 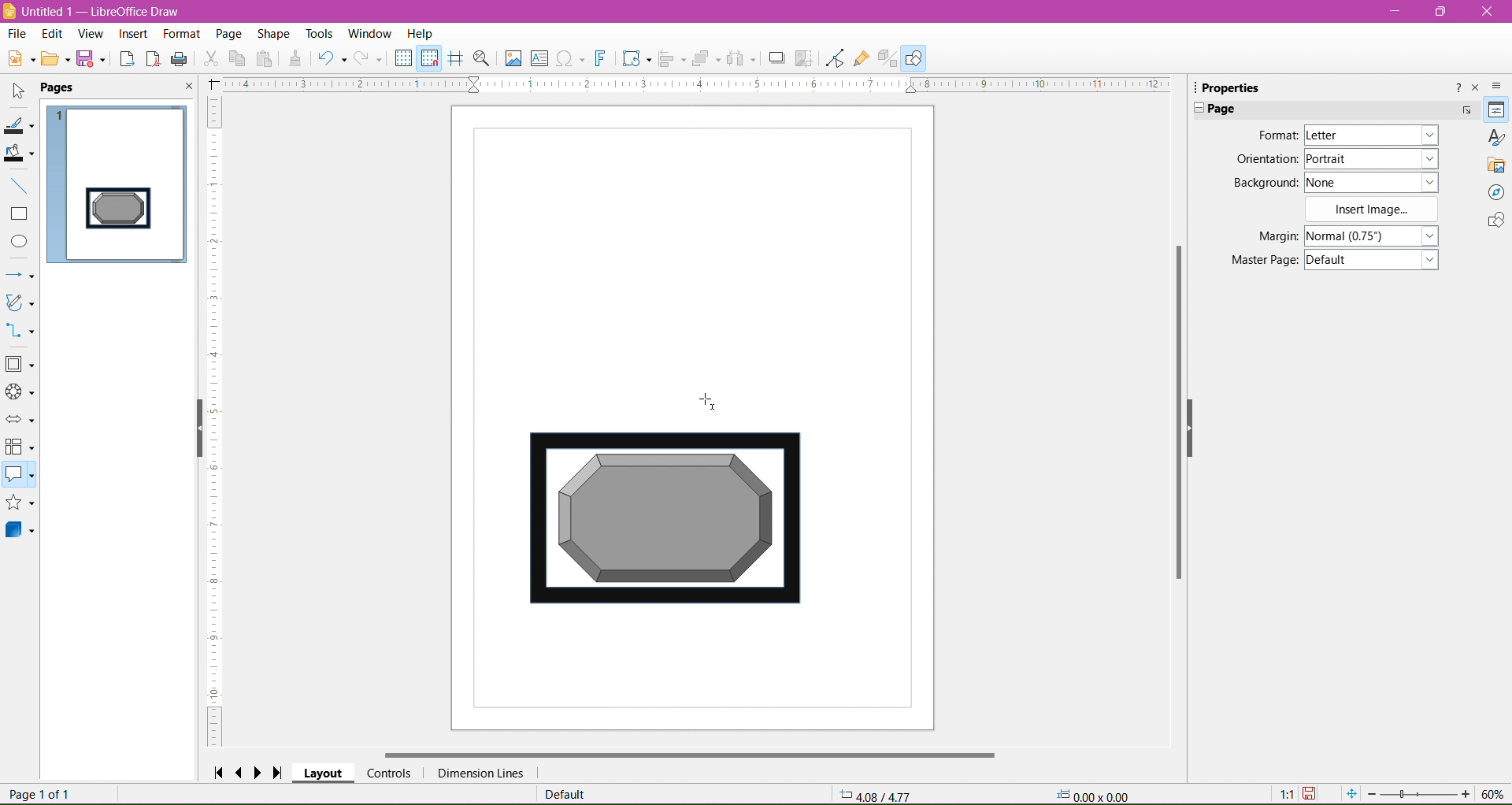 I want to click on Show Gluepoint Functions, so click(x=861, y=58).